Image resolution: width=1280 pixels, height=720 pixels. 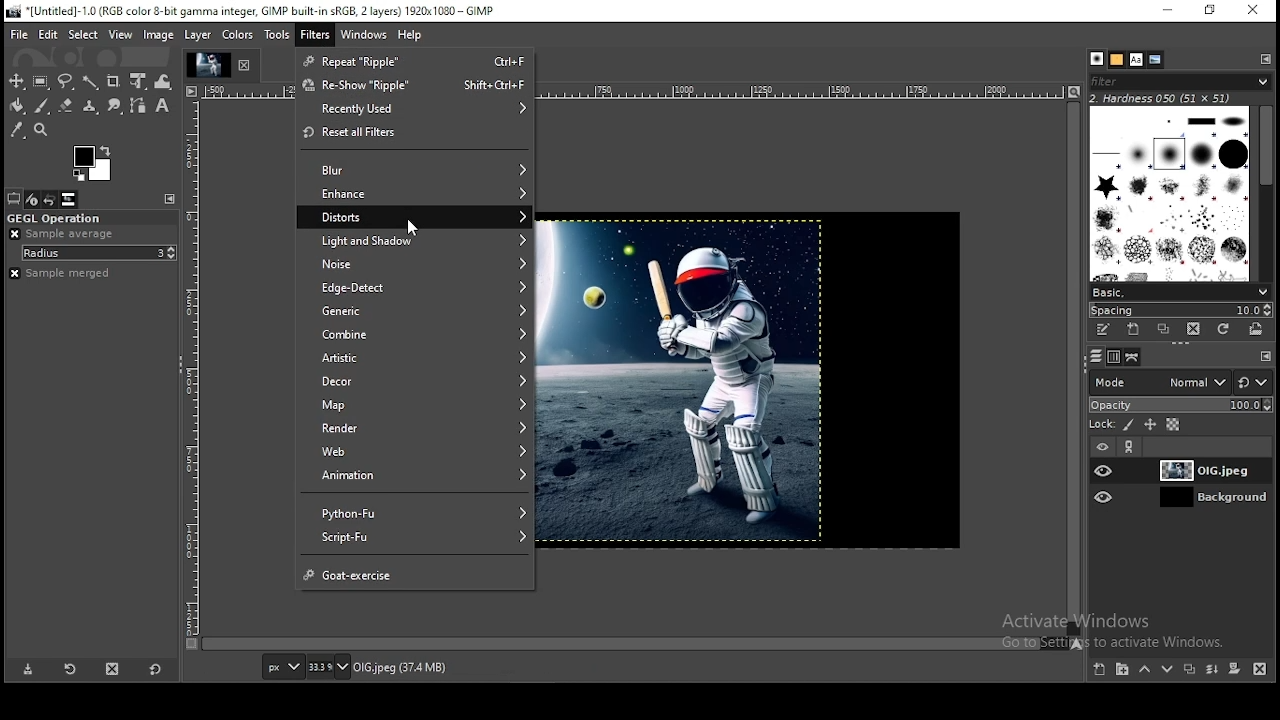 I want to click on layer, so click(x=200, y=35).